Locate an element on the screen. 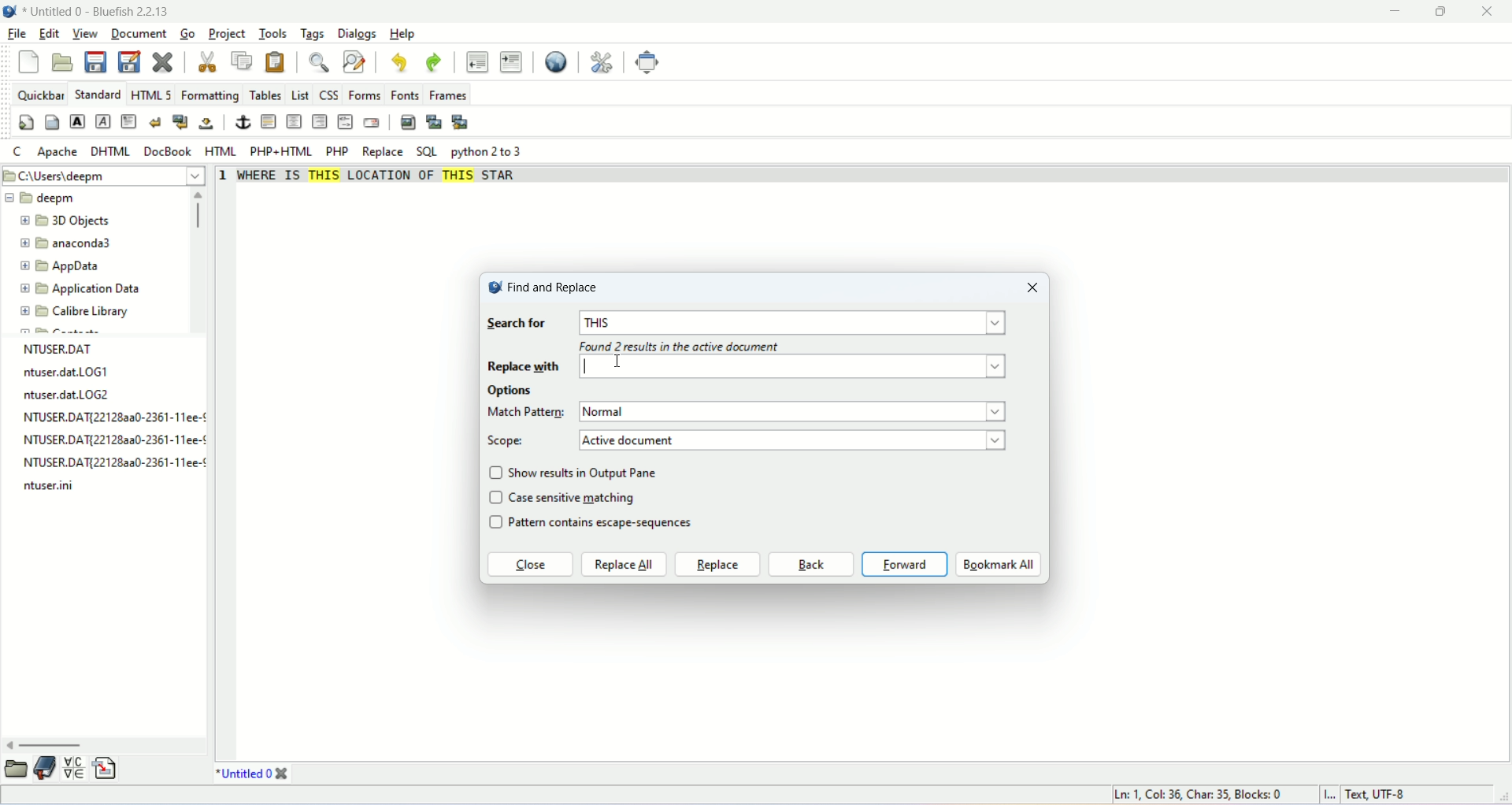  checkbox is located at coordinates (495, 499).